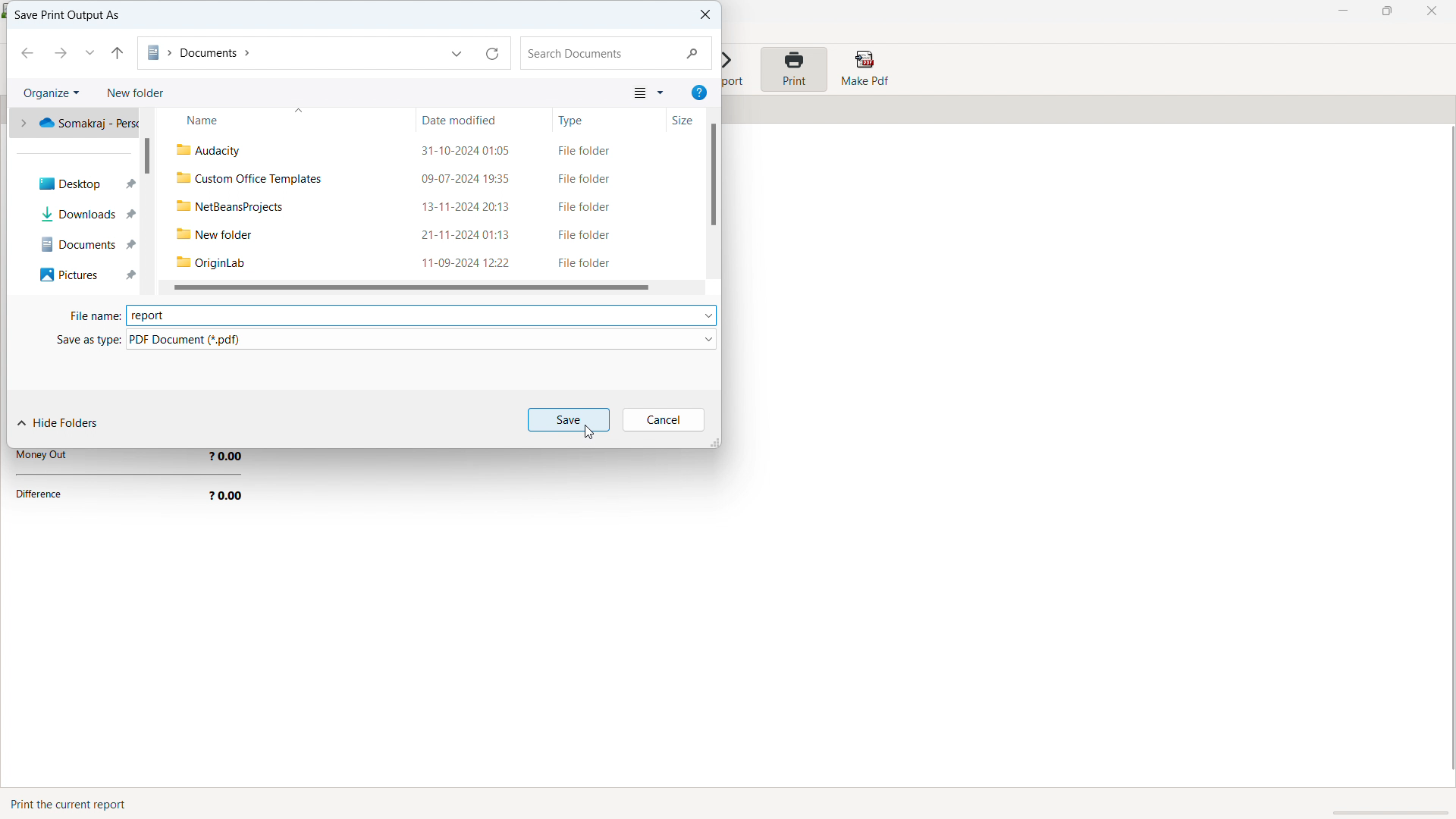 This screenshot has height=819, width=1456. I want to click on close, so click(1431, 11).